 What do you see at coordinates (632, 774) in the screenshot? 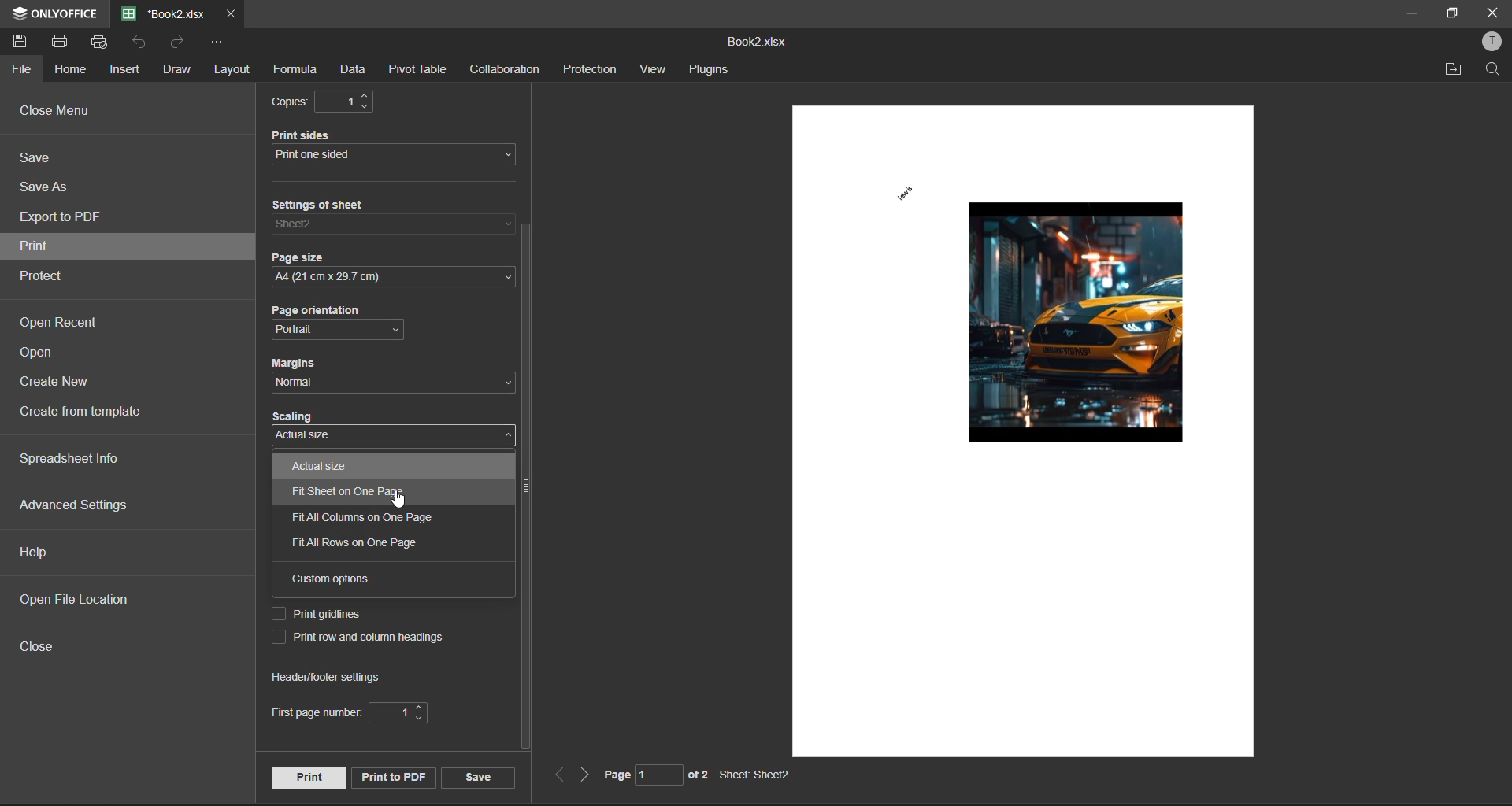
I see `page no` at bounding box center [632, 774].